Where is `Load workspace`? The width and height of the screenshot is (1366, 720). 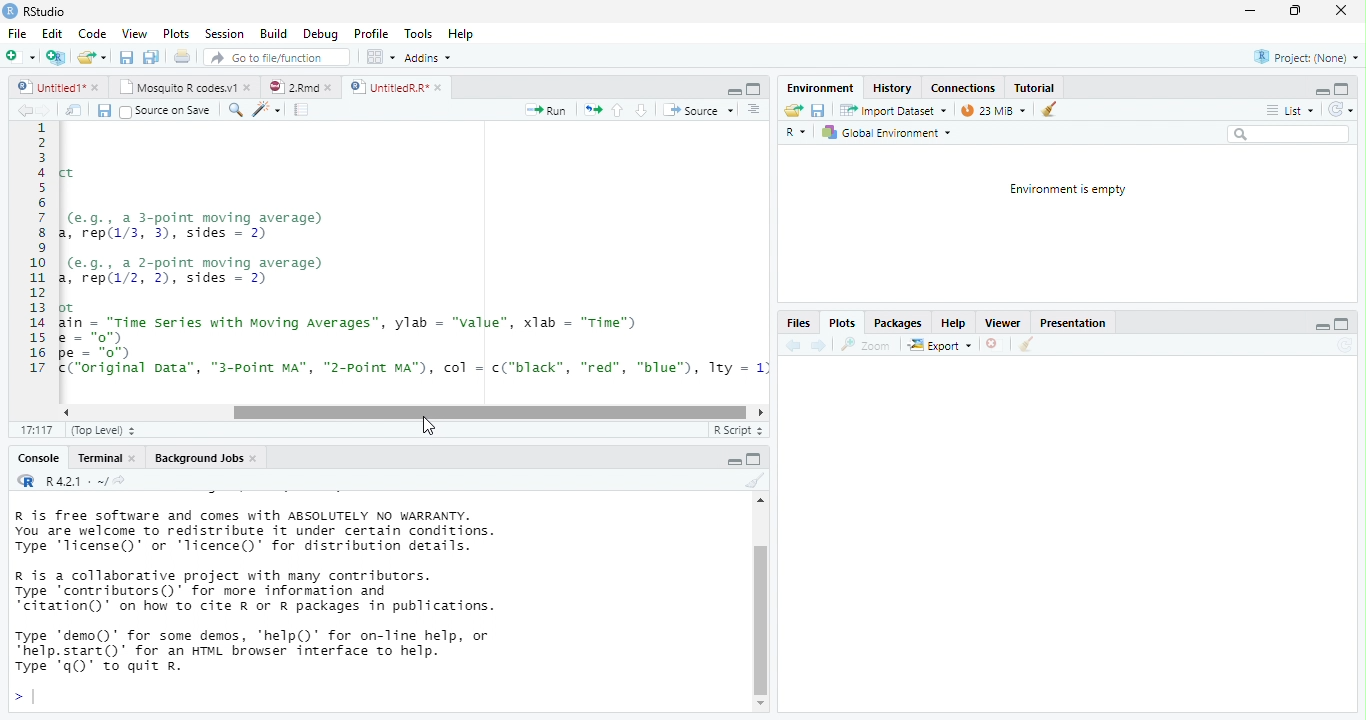
Load workspace is located at coordinates (793, 111).